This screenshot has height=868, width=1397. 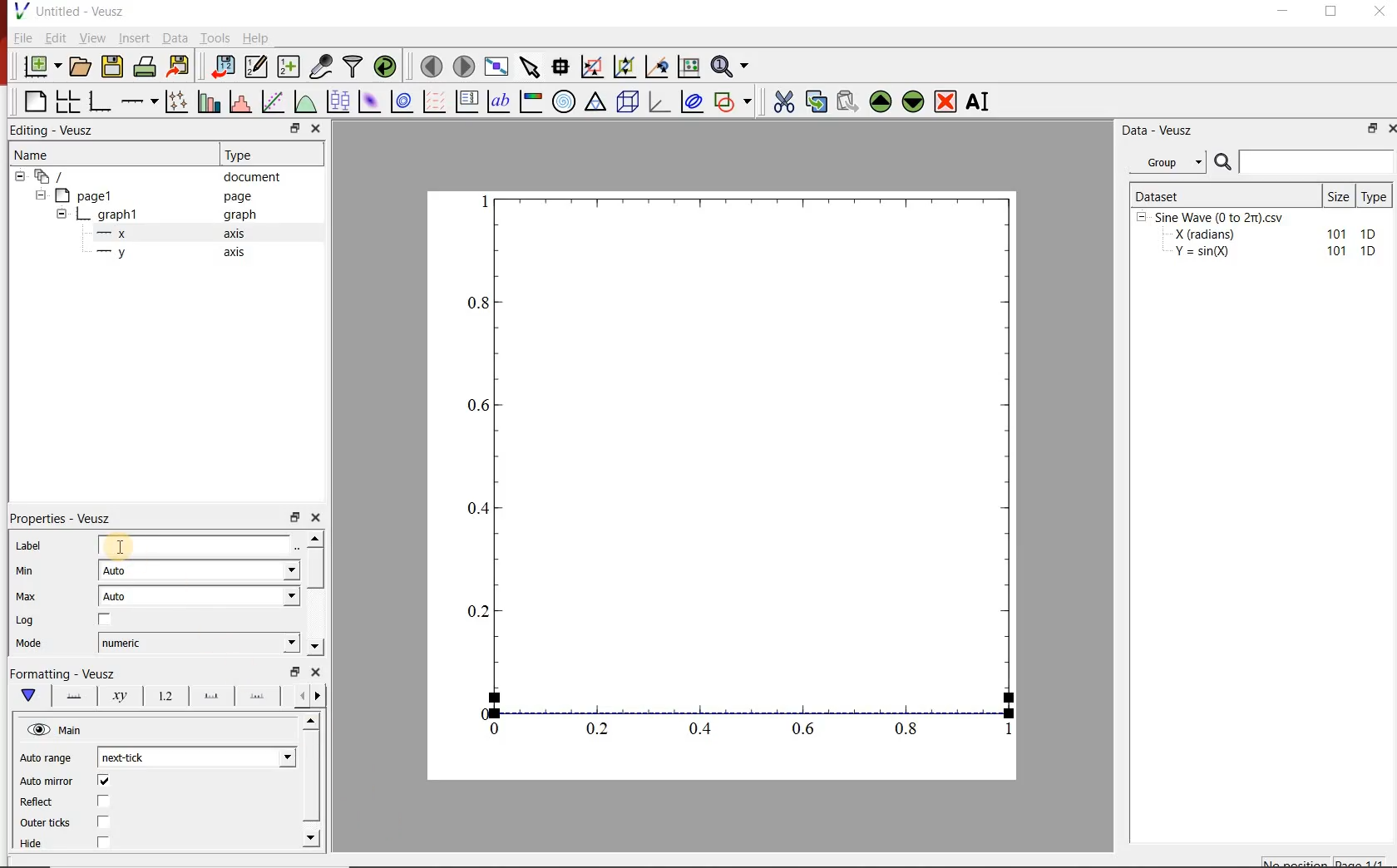 I want to click on @ main, so click(x=54, y=731).